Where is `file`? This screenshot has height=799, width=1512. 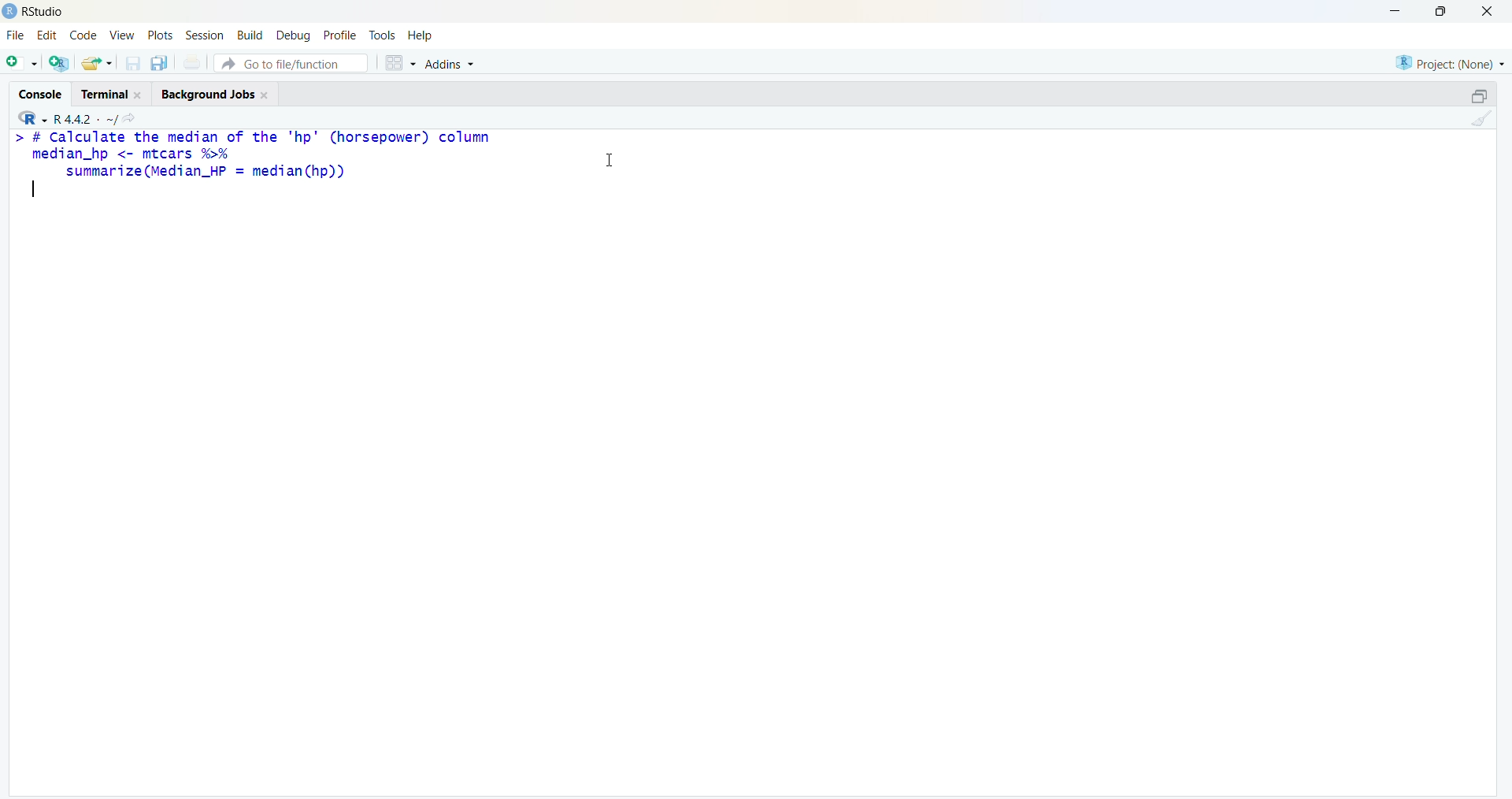
file is located at coordinates (16, 34).